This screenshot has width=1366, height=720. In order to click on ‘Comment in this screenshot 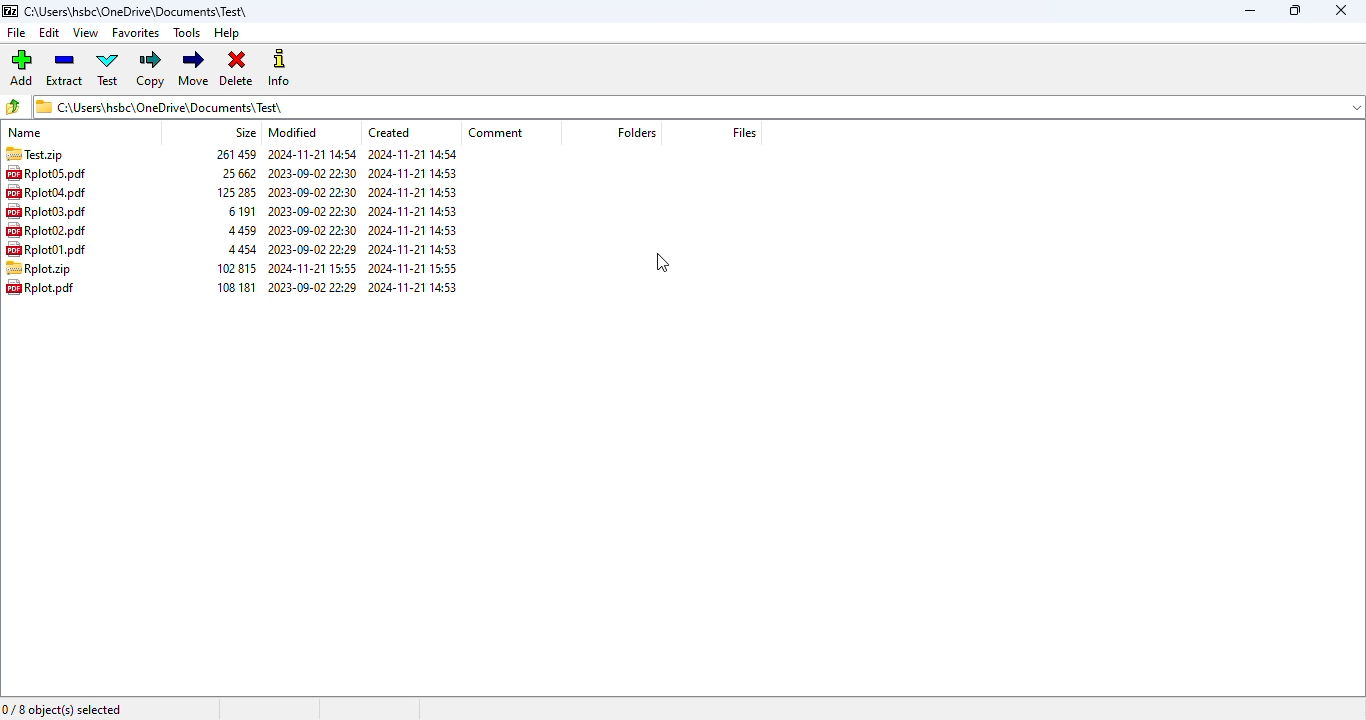, I will do `click(497, 131)`.